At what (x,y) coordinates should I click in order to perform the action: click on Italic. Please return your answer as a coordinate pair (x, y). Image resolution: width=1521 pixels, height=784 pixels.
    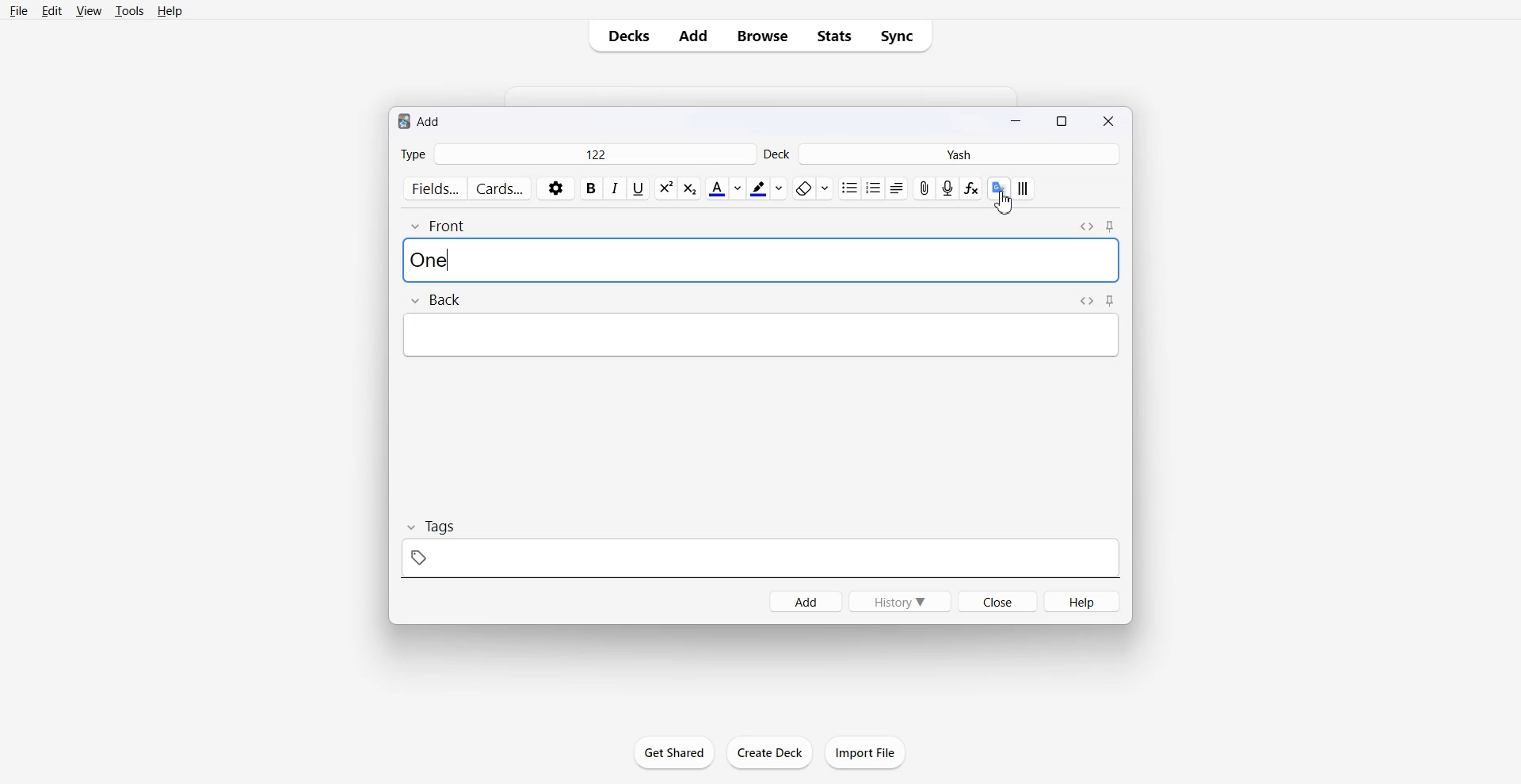
    Looking at the image, I should click on (616, 188).